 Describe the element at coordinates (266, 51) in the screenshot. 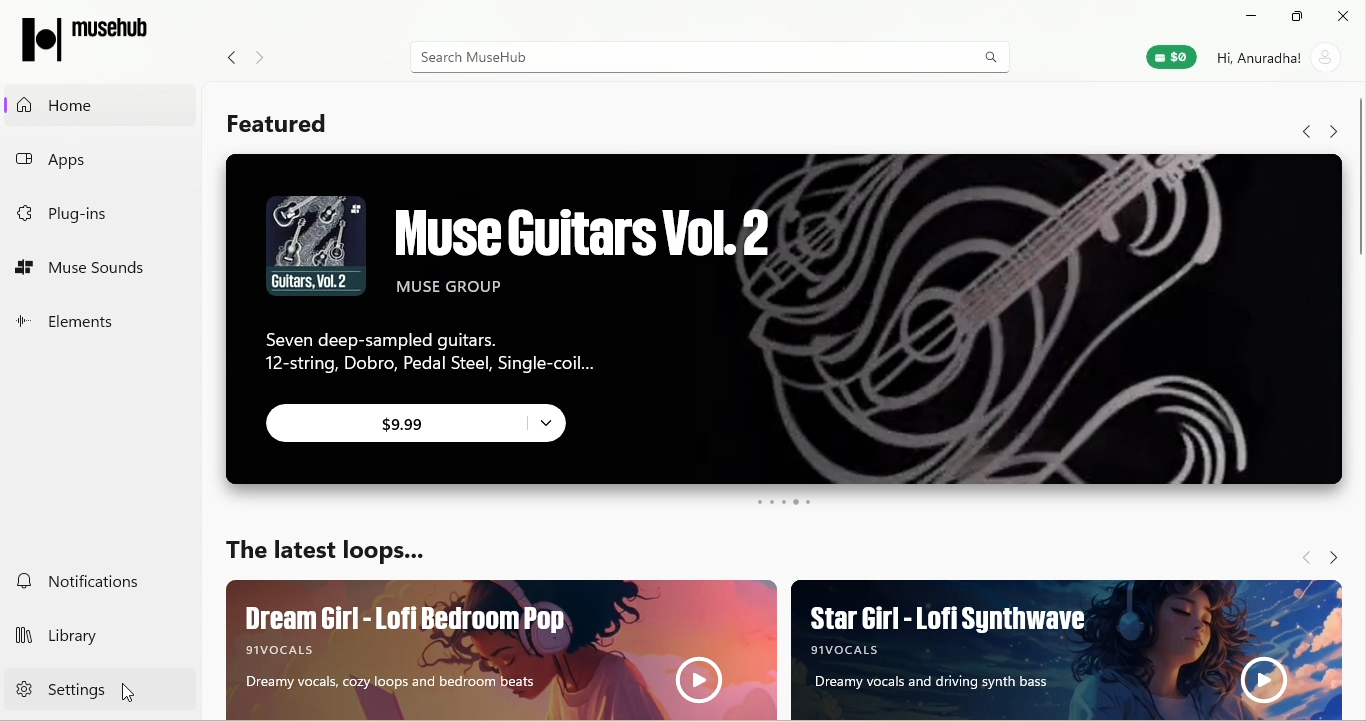

I see `navigate forward` at that location.